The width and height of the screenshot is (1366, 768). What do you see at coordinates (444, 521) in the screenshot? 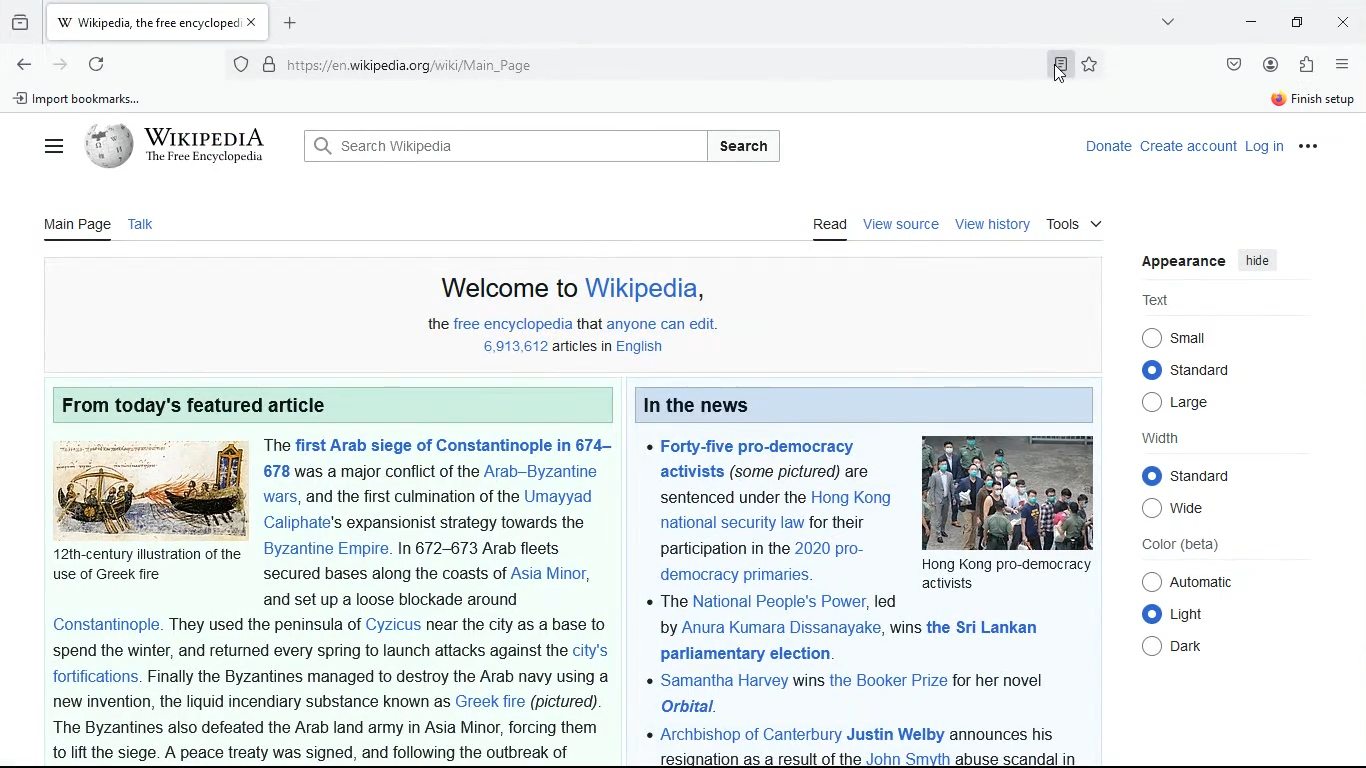
I see `text` at bounding box center [444, 521].